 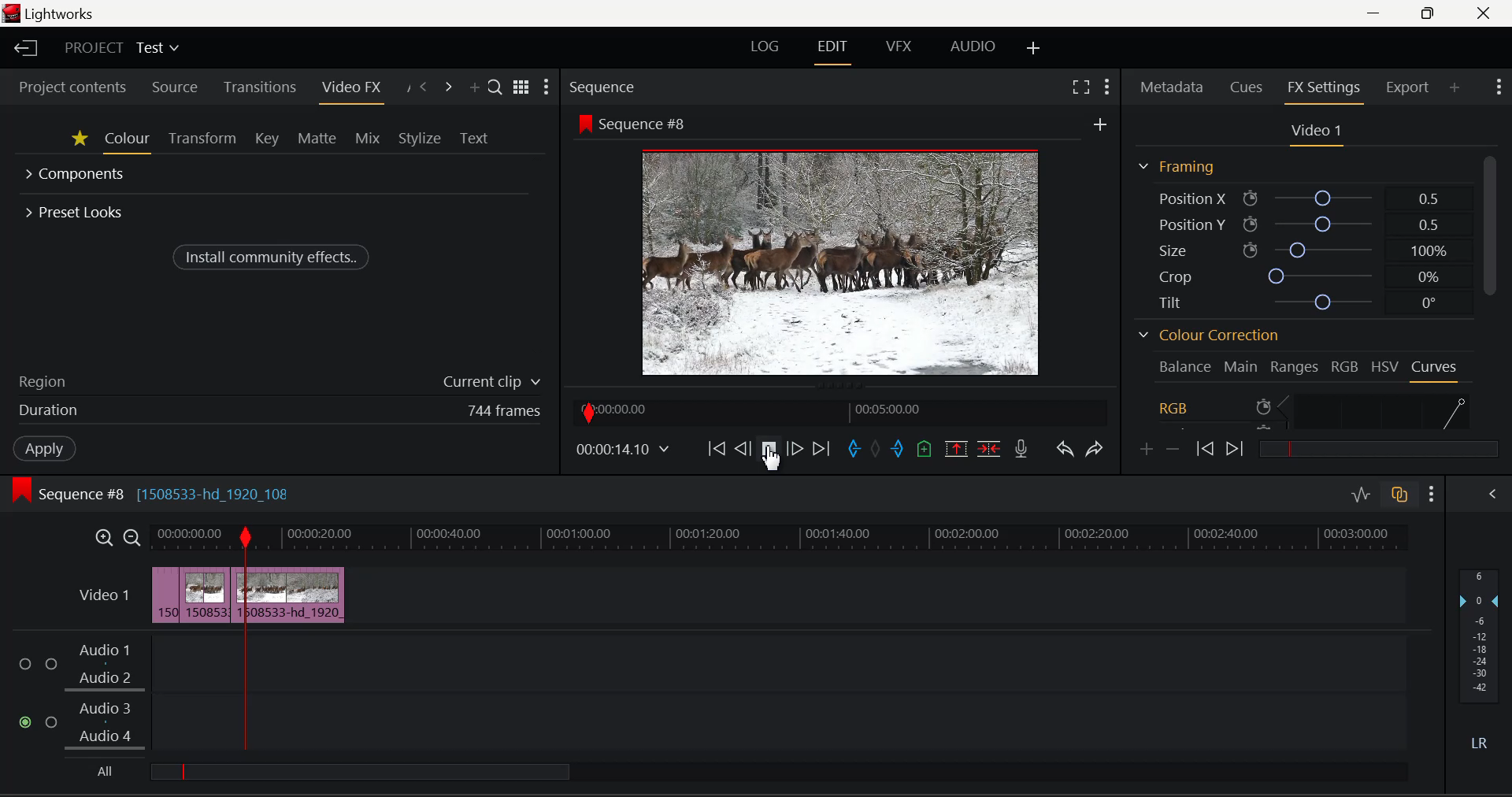 What do you see at coordinates (128, 141) in the screenshot?
I see `Colour` at bounding box center [128, 141].